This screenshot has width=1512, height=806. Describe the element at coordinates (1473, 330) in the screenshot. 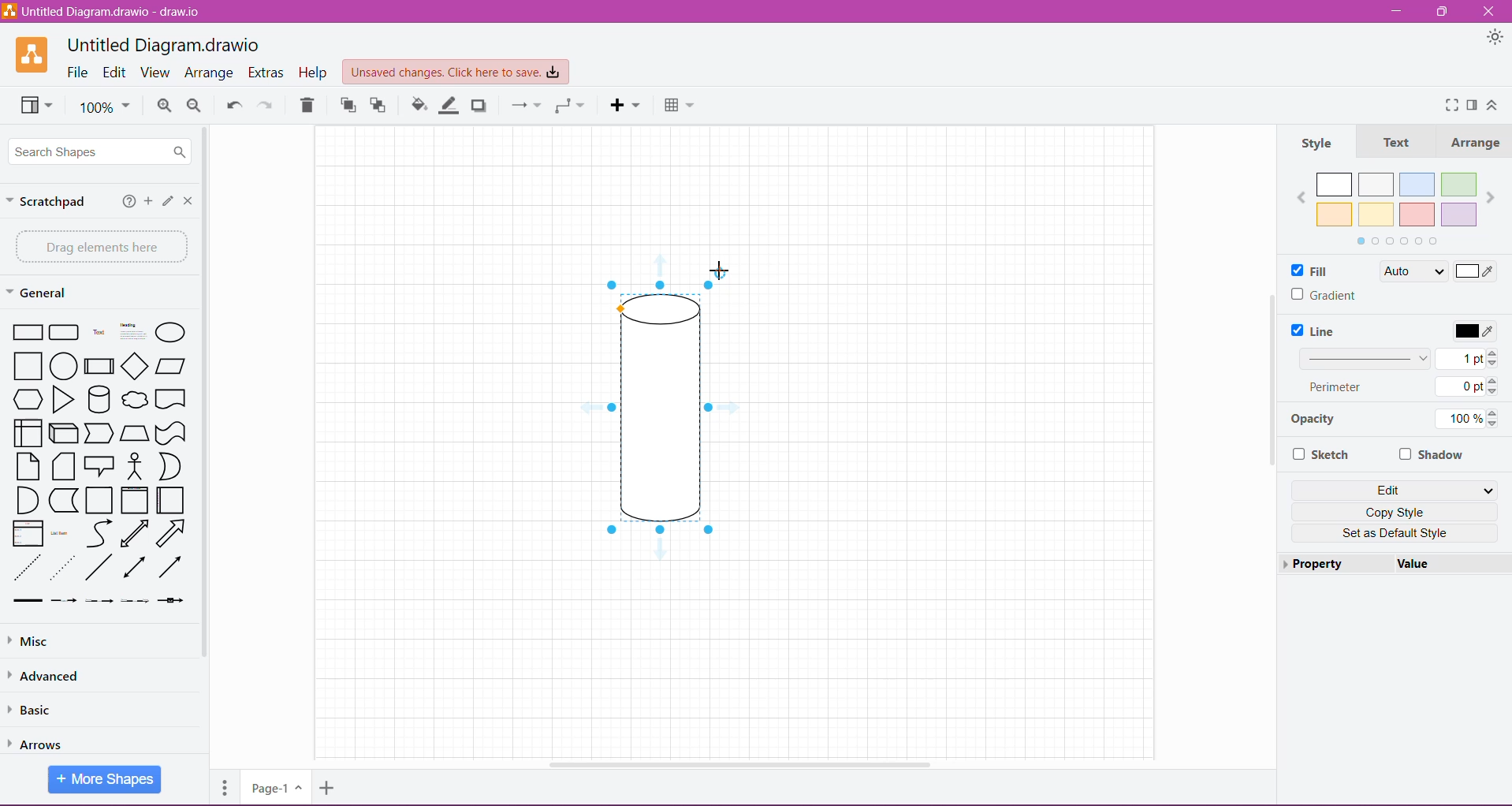

I see `Set Line color` at that location.